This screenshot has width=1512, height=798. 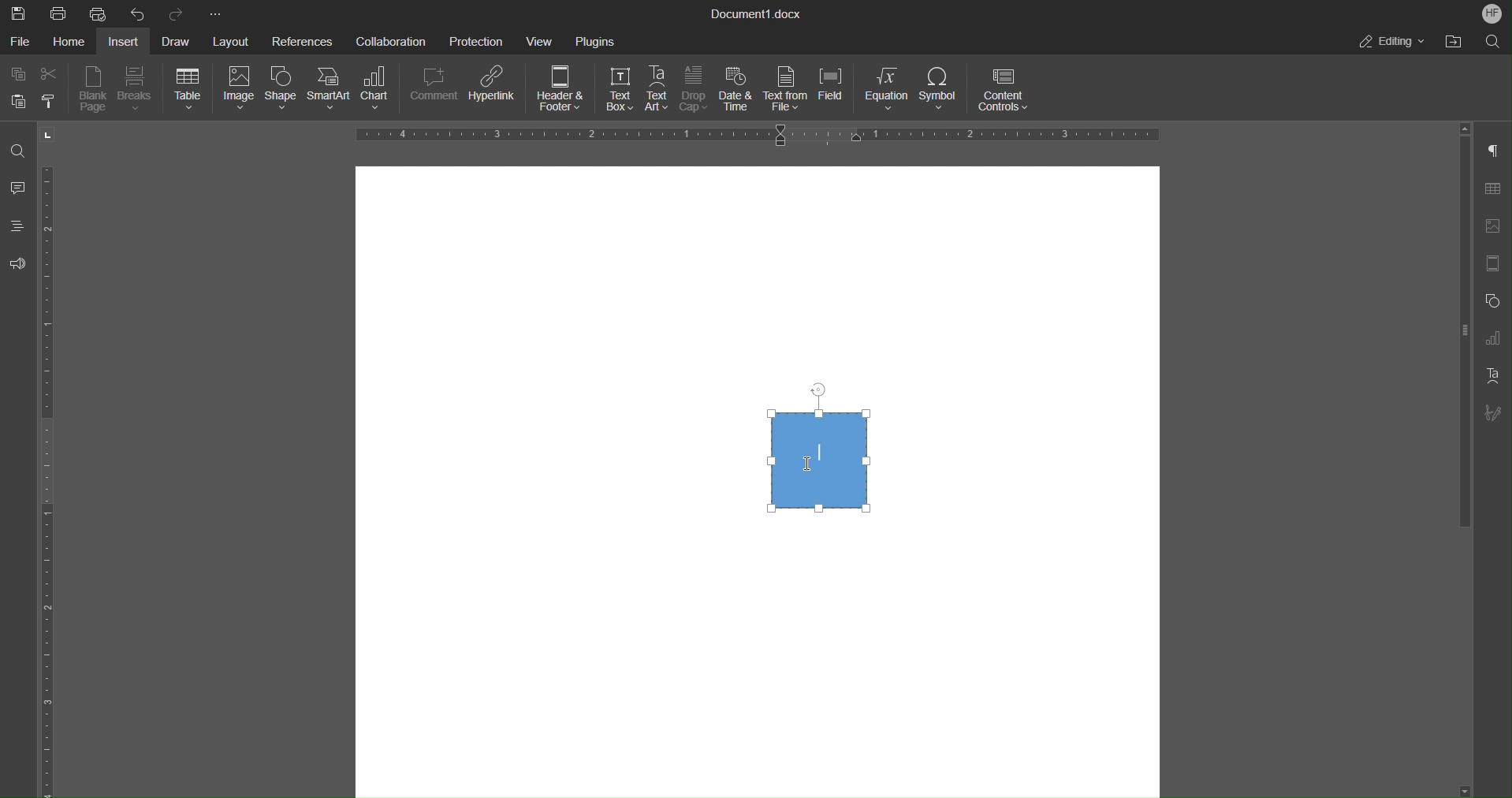 What do you see at coordinates (137, 91) in the screenshot?
I see `Breaks` at bounding box center [137, 91].